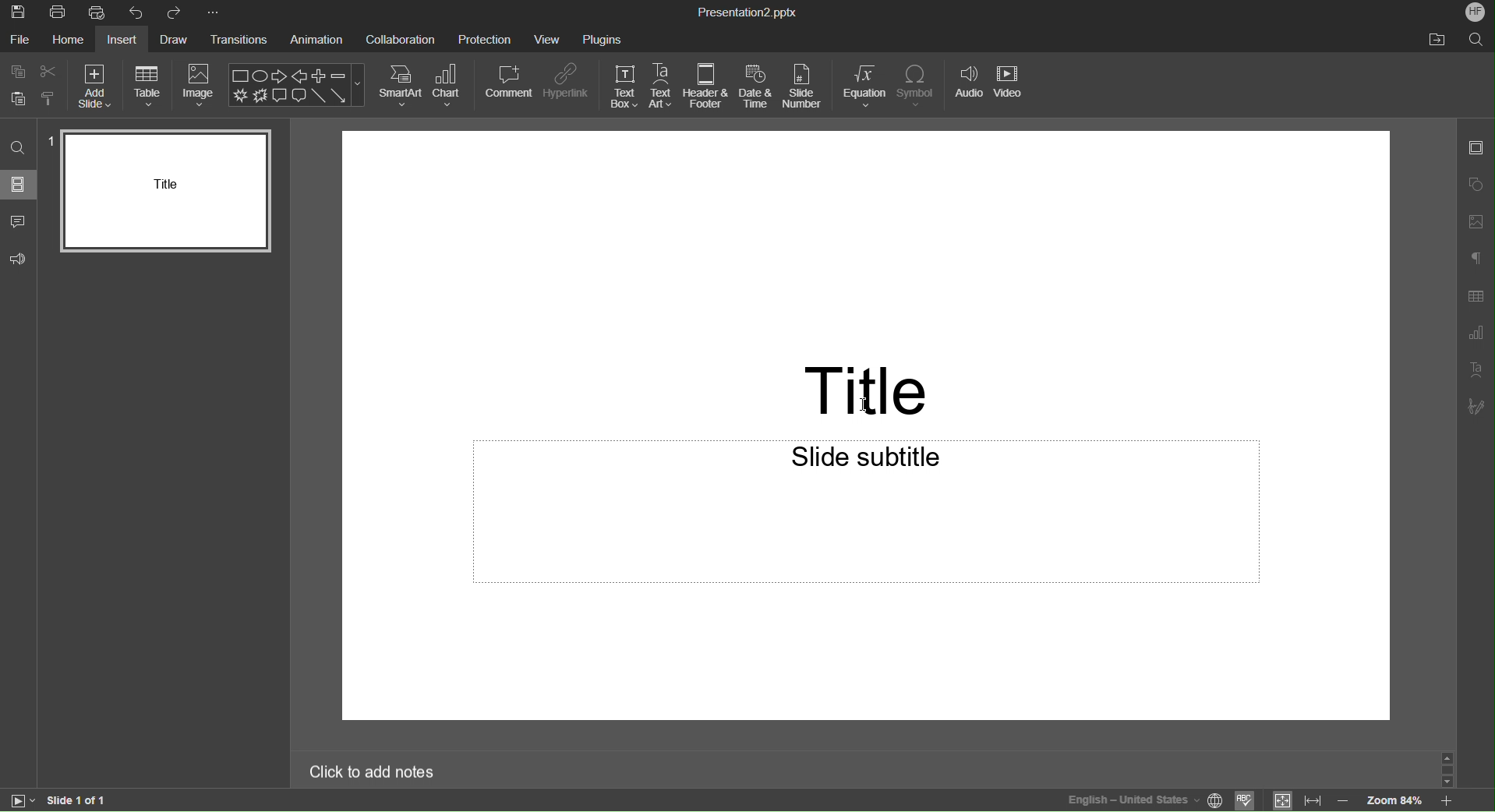  Describe the element at coordinates (1396, 800) in the screenshot. I see `zoom level` at that location.